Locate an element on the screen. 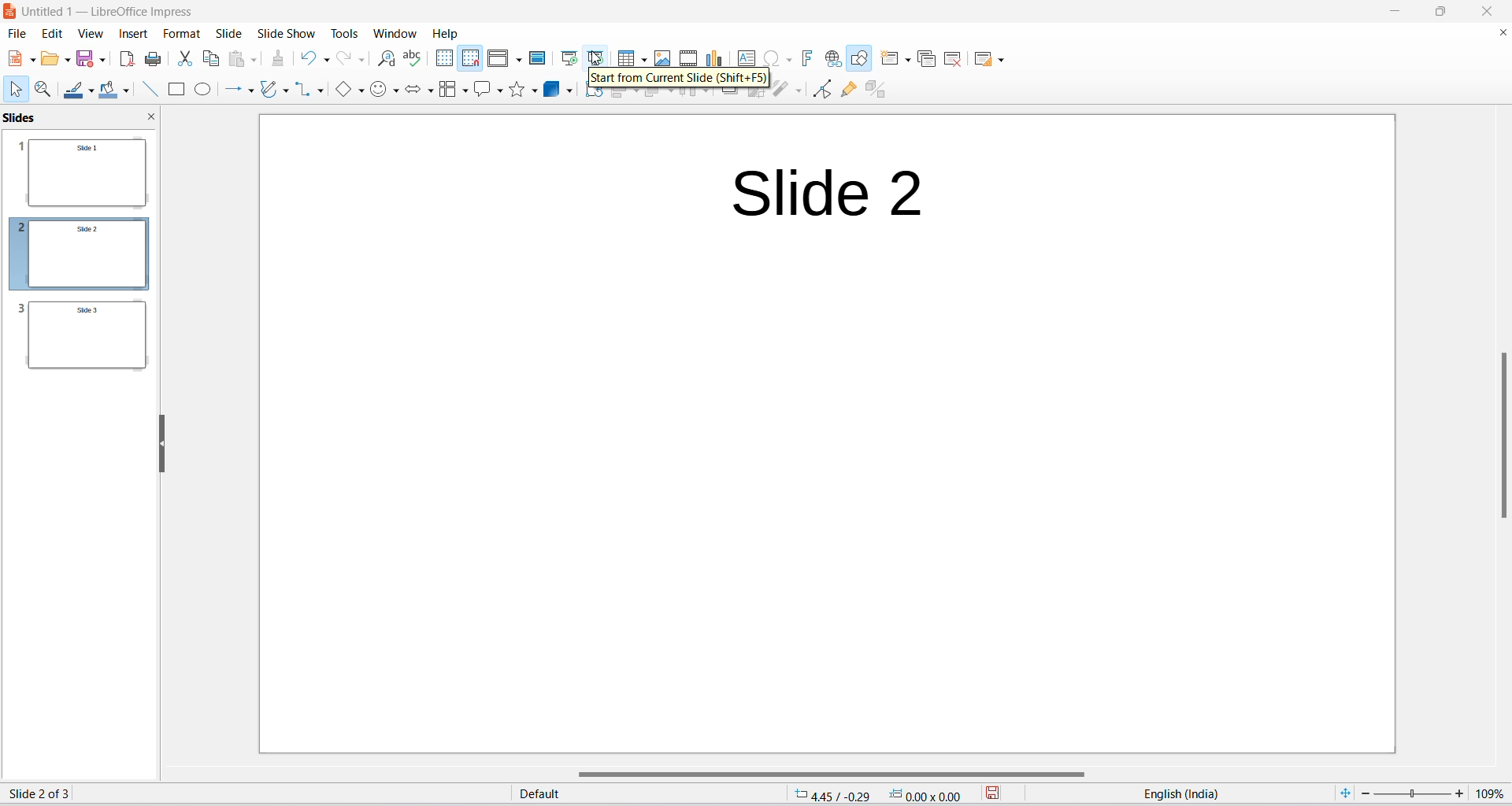 This screenshot has width=1512, height=806. slide title is located at coordinates (828, 193).